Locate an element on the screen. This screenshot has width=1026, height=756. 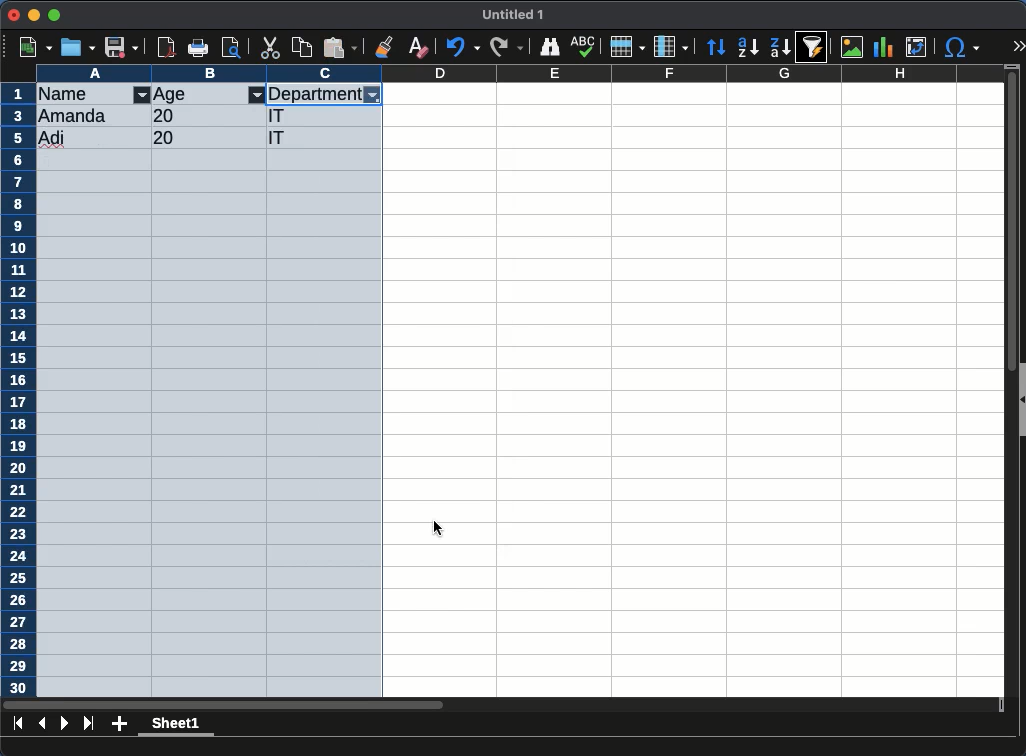
untitled 1 is located at coordinates (514, 15).